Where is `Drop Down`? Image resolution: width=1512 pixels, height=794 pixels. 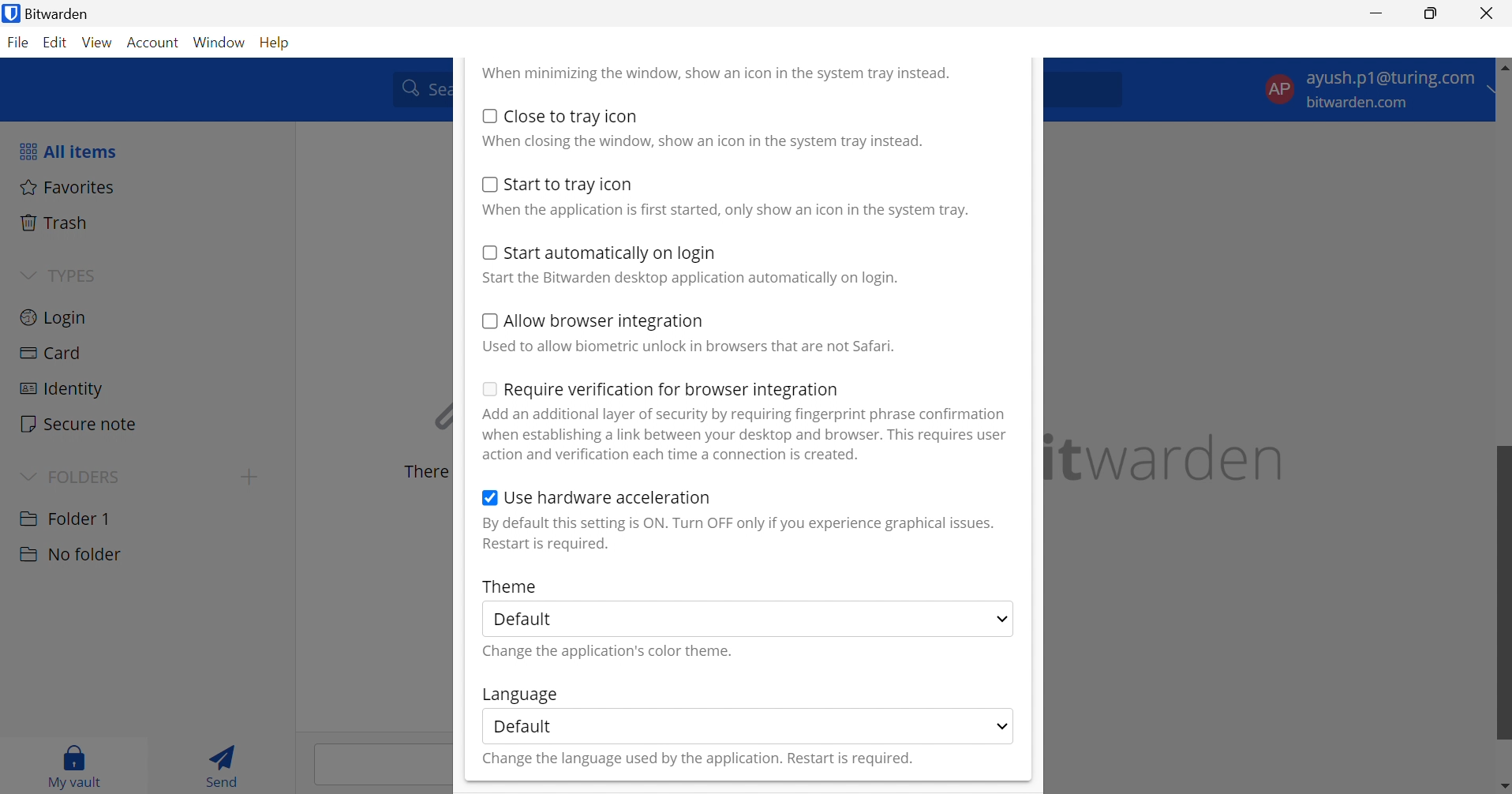
Drop Down is located at coordinates (27, 474).